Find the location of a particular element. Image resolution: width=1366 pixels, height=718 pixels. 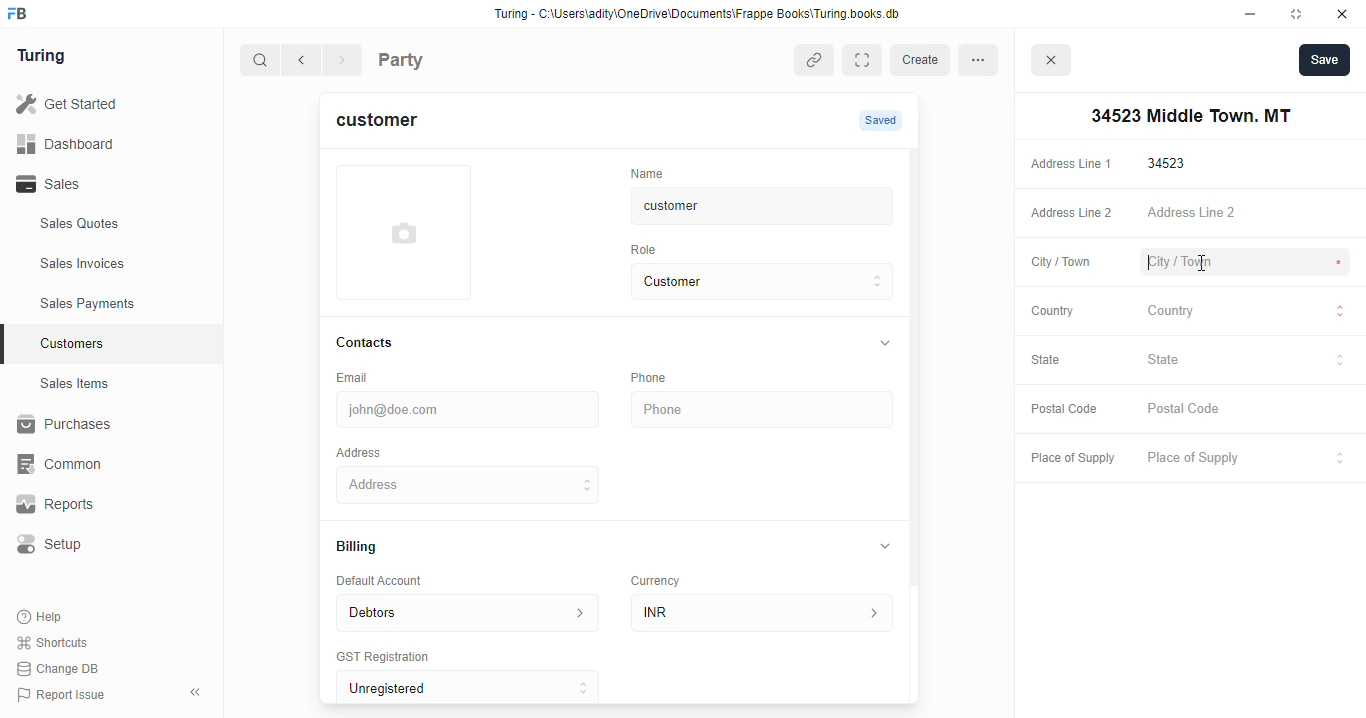

search is located at coordinates (261, 62).